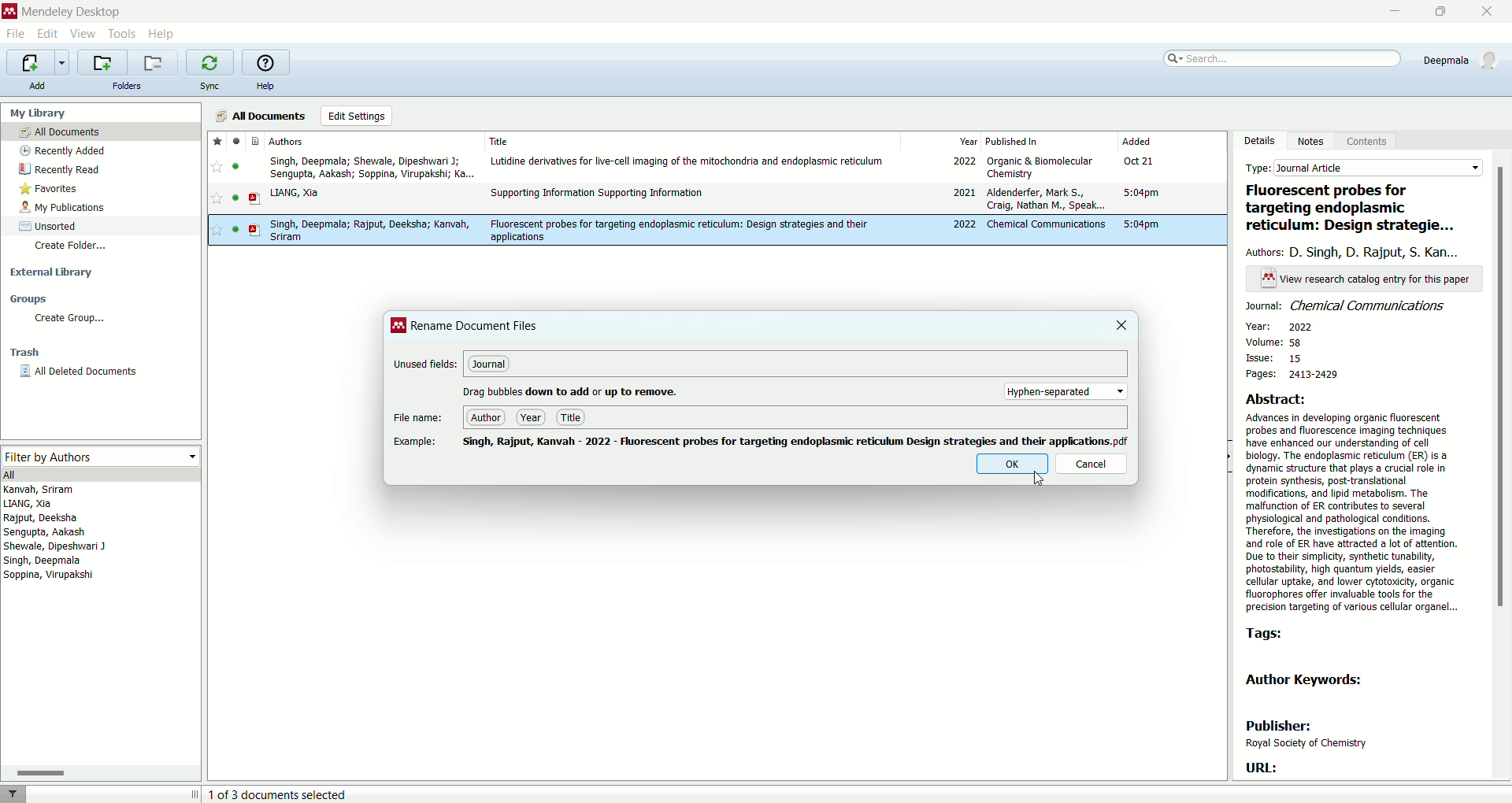  Describe the element at coordinates (1279, 326) in the screenshot. I see `year` at that location.